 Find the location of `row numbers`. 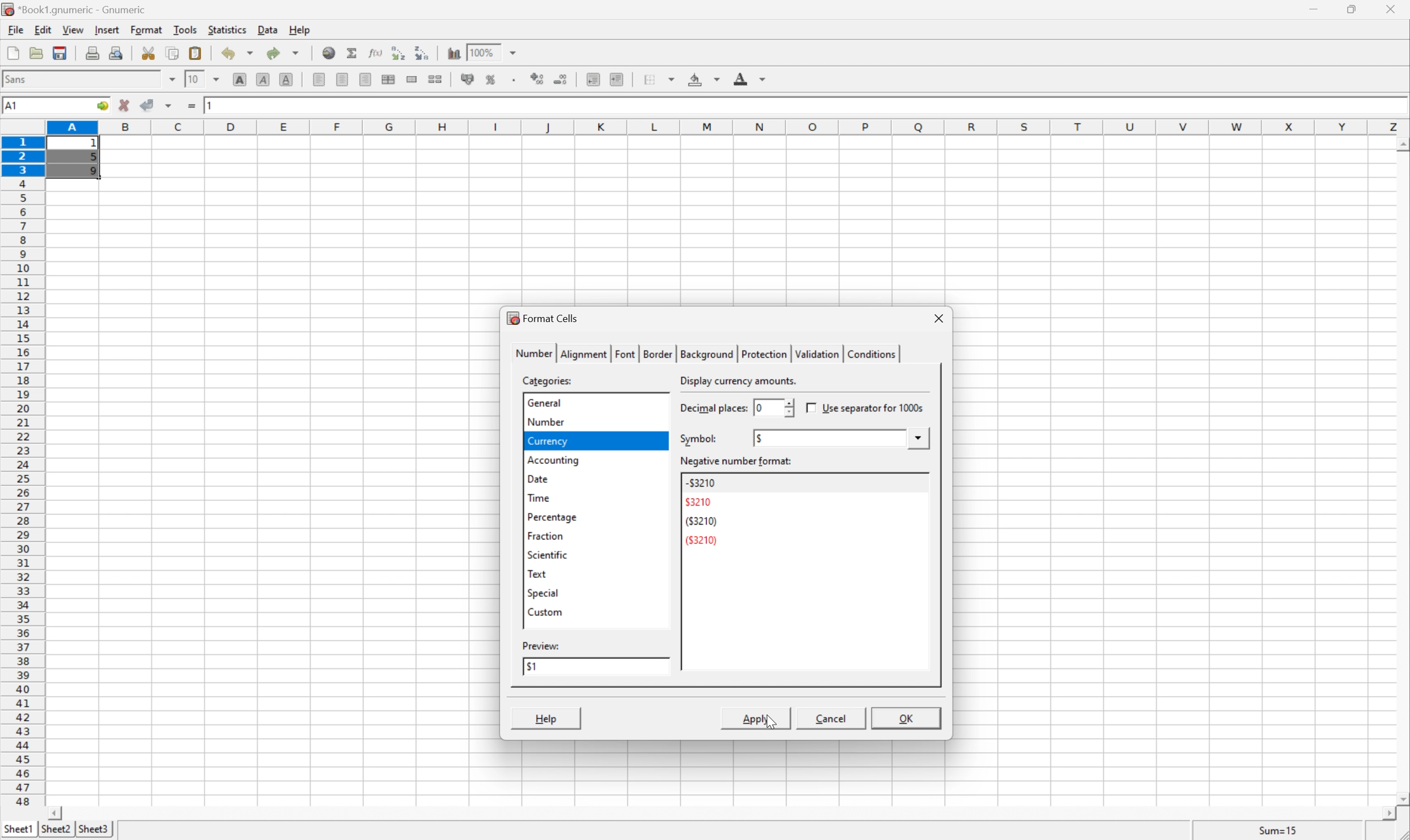

row numbers is located at coordinates (22, 472).